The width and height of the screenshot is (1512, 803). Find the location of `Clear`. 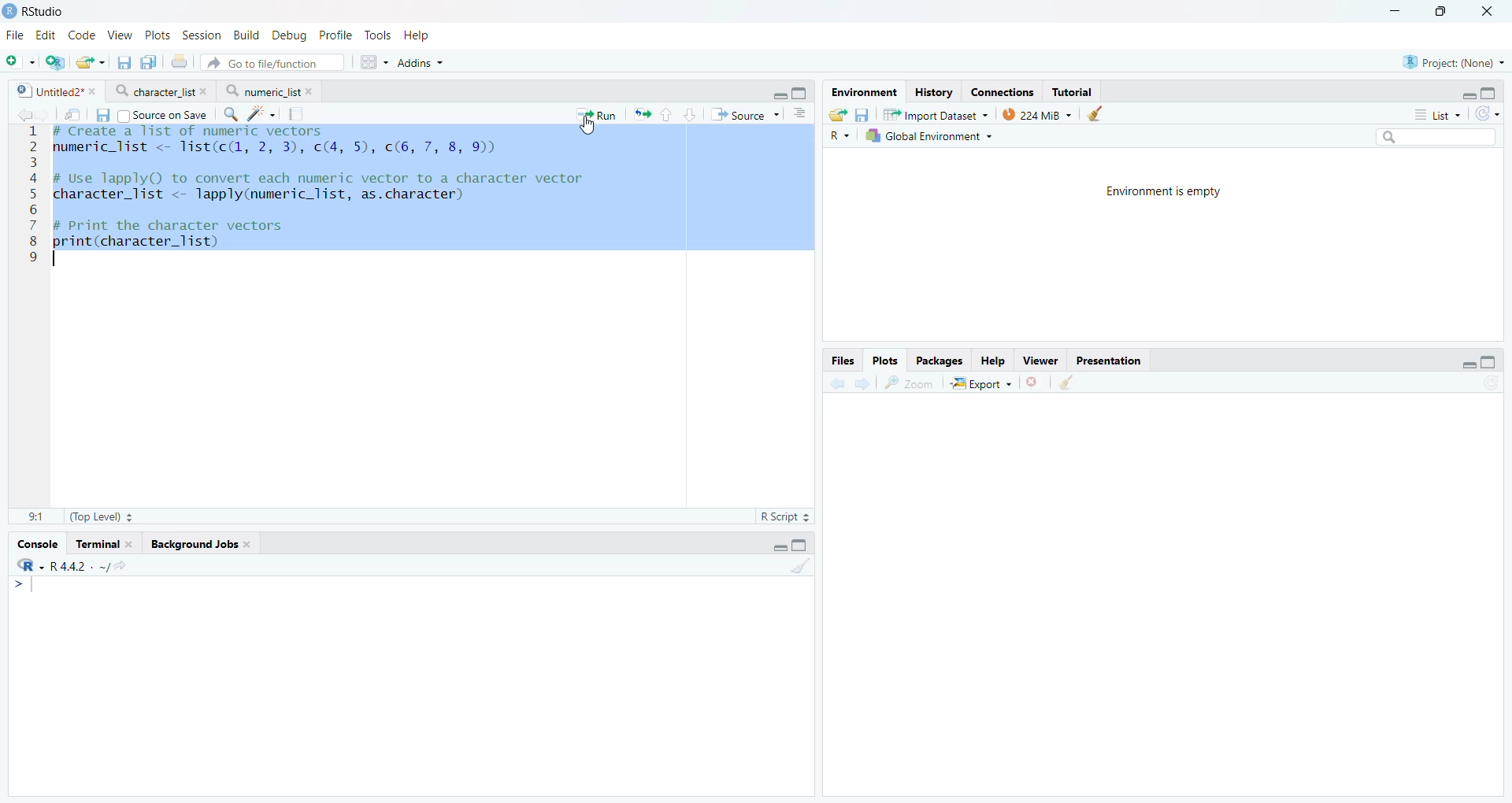

Clear is located at coordinates (1100, 114).